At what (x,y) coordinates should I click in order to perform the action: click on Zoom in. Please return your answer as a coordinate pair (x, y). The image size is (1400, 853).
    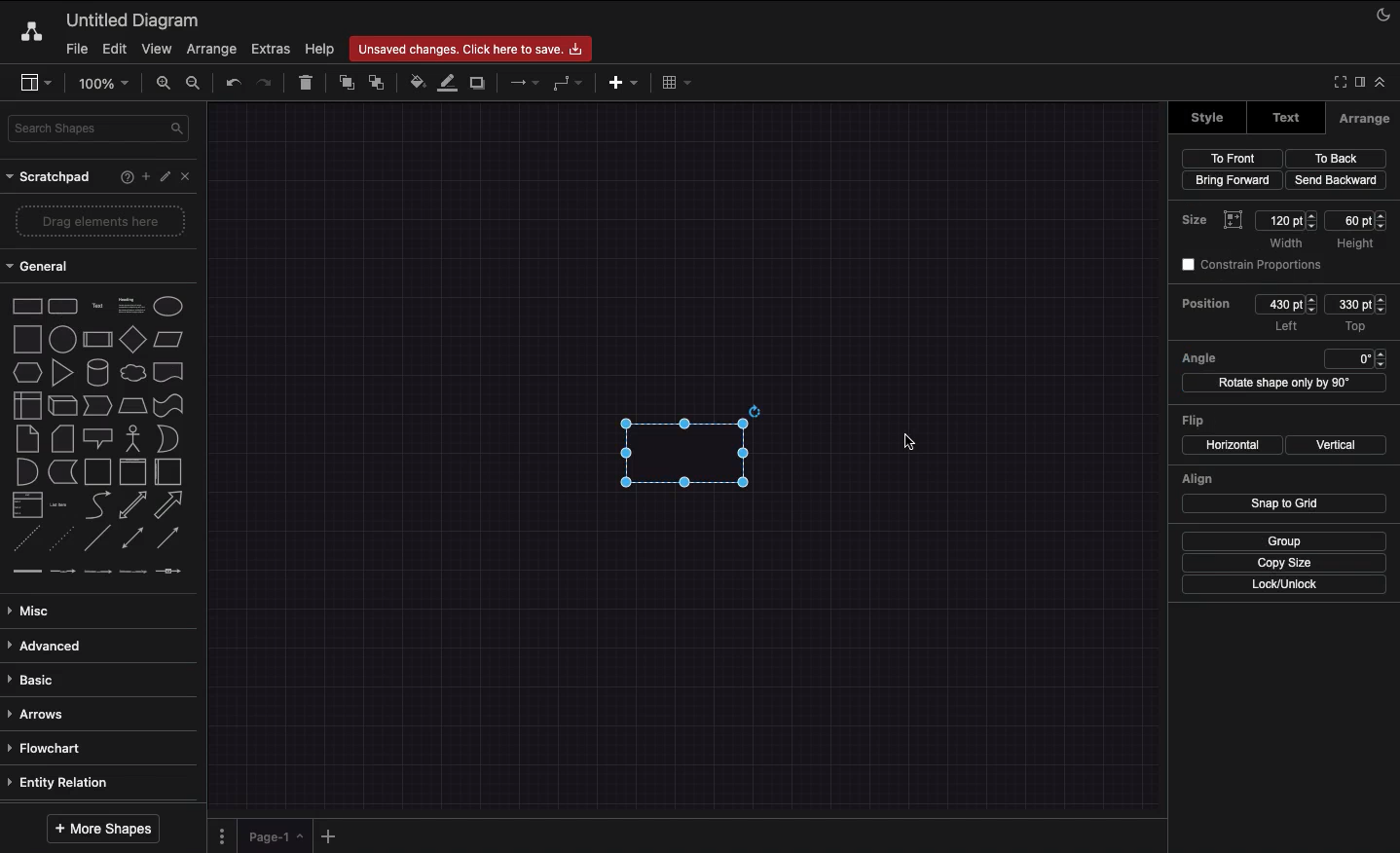
    Looking at the image, I should click on (164, 83).